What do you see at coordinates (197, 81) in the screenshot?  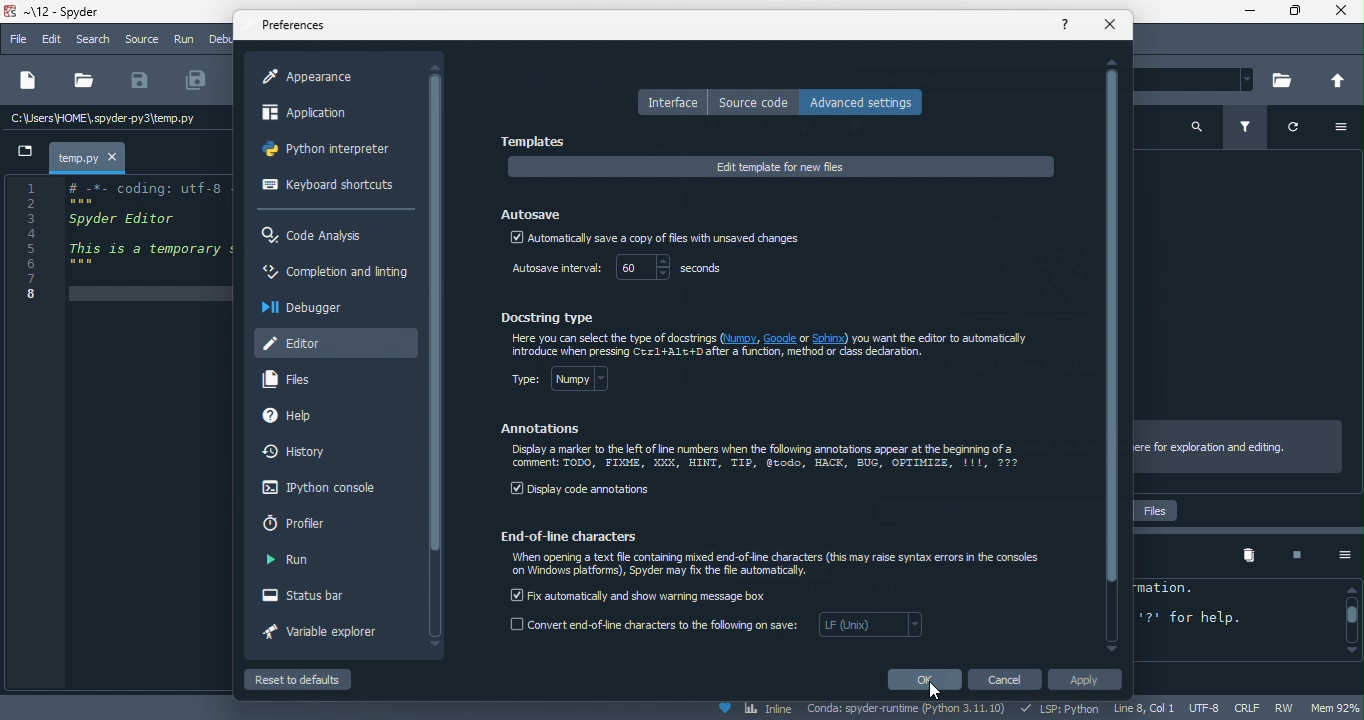 I see `save all` at bounding box center [197, 81].